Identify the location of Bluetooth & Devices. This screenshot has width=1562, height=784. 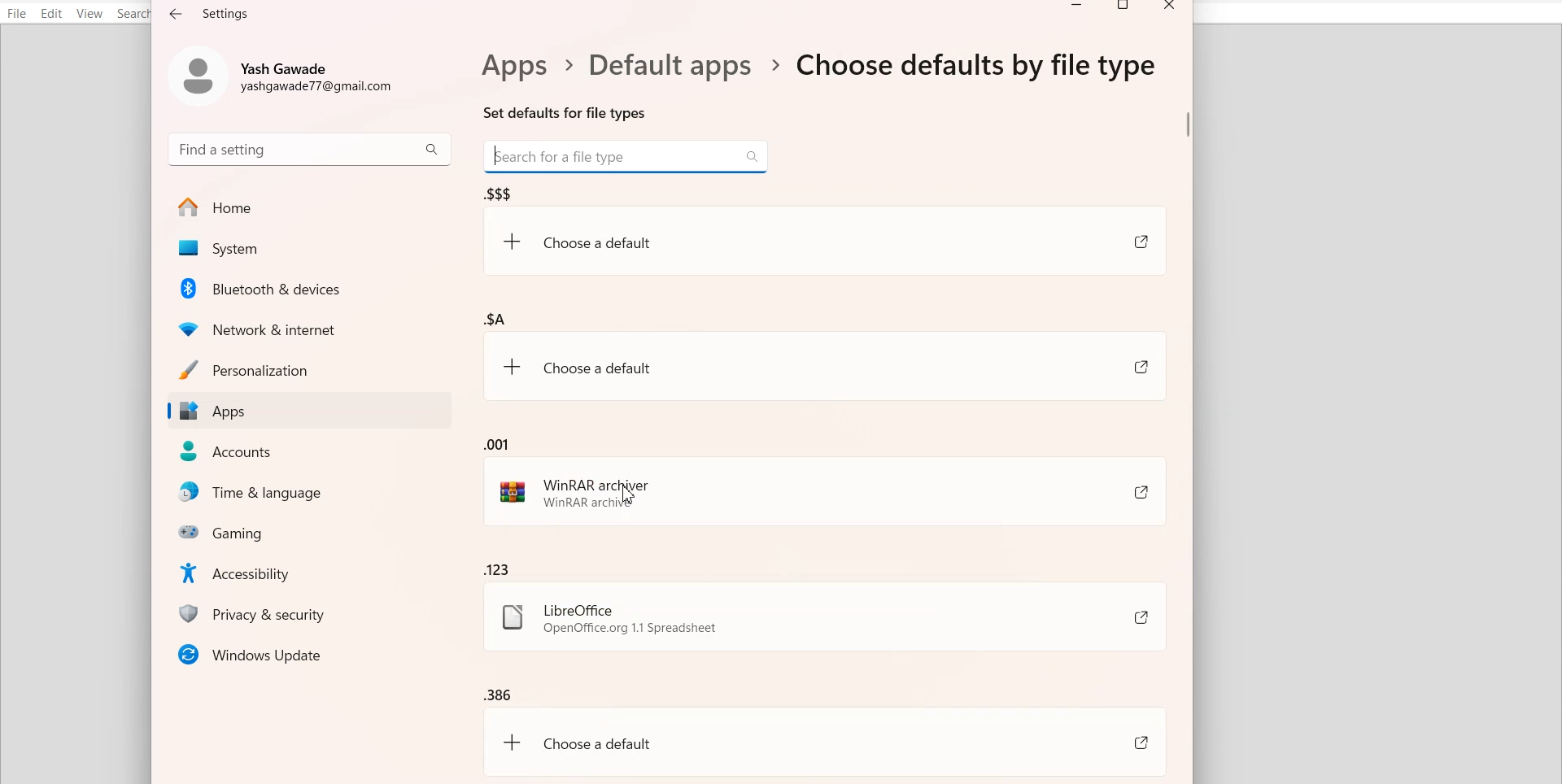
(312, 288).